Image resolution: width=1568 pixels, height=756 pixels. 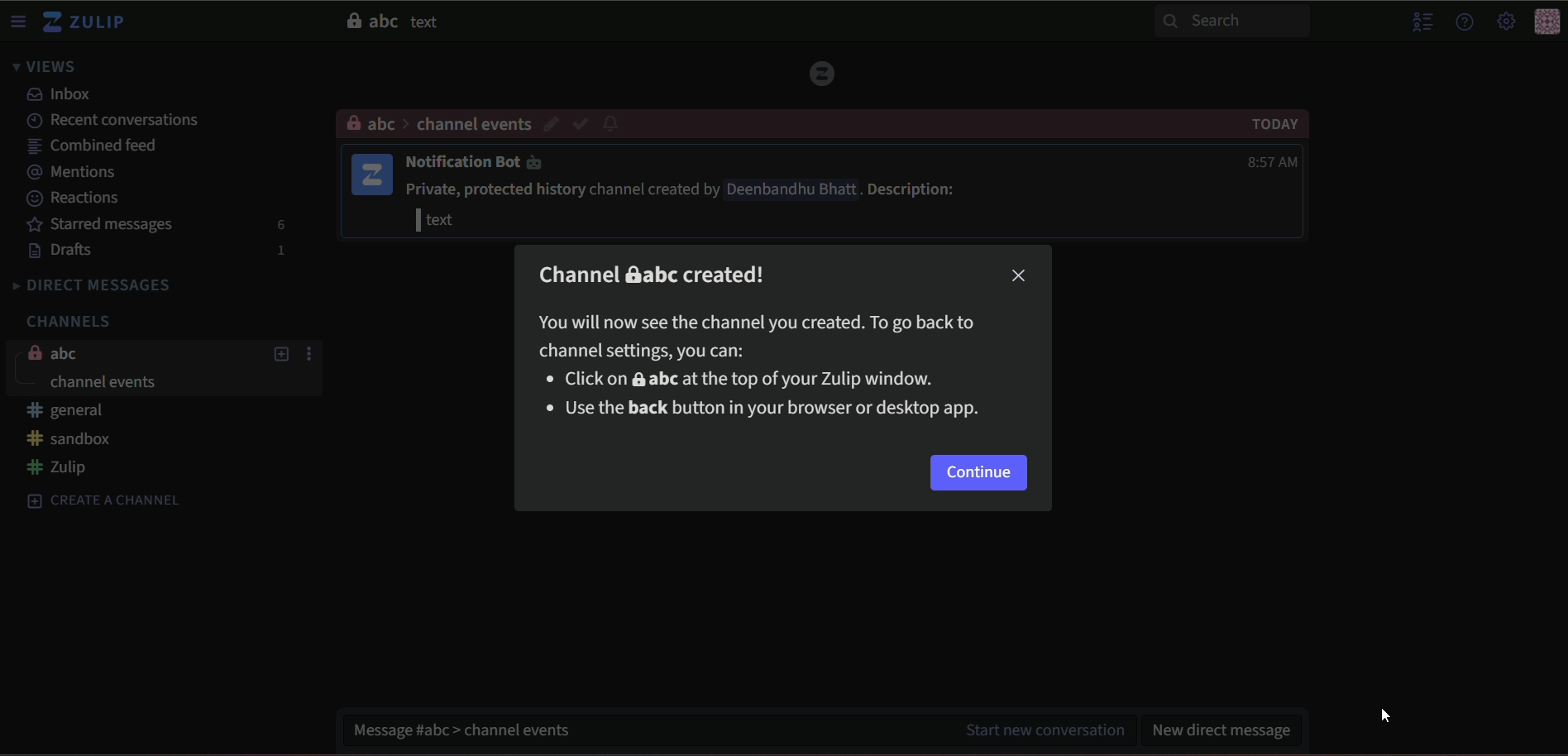 What do you see at coordinates (62, 94) in the screenshot?
I see `inbox` at bounding box center [62, 94].